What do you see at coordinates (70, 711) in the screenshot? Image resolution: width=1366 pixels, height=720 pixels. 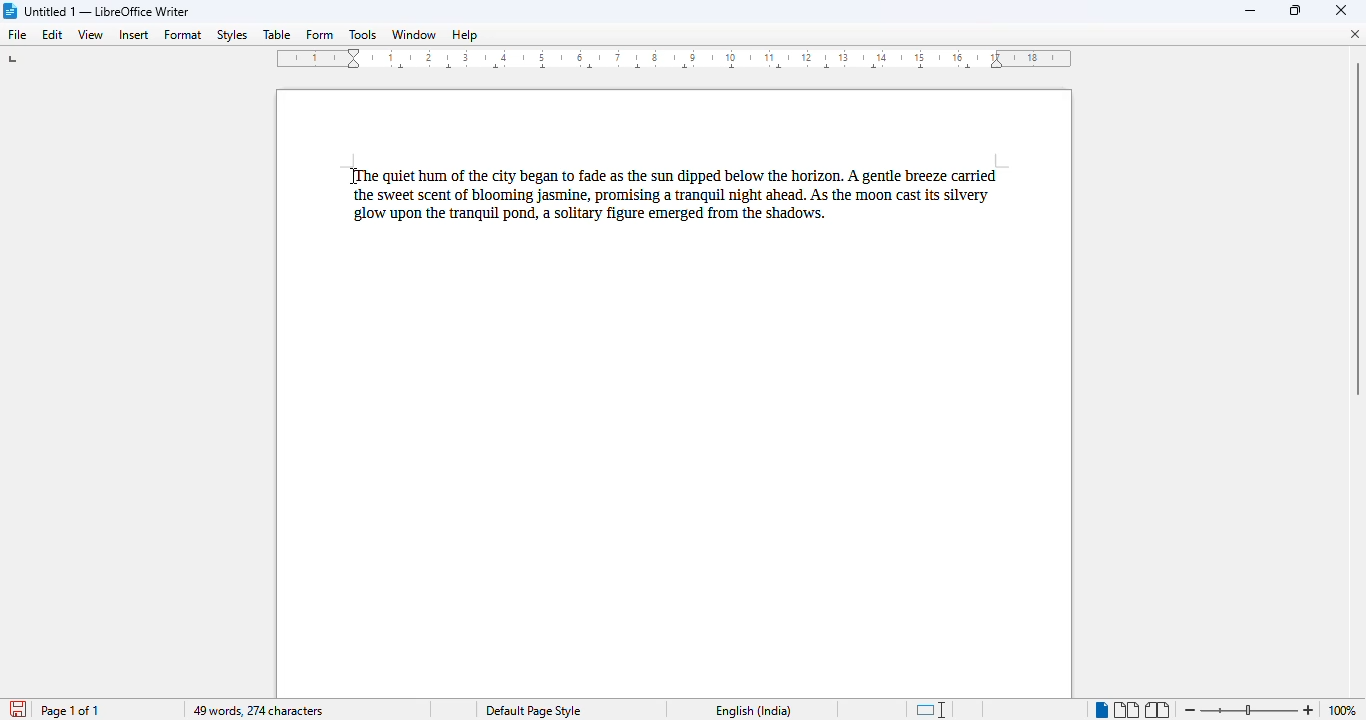 I see `page 1 of 1` at bounding box center [70, 711].